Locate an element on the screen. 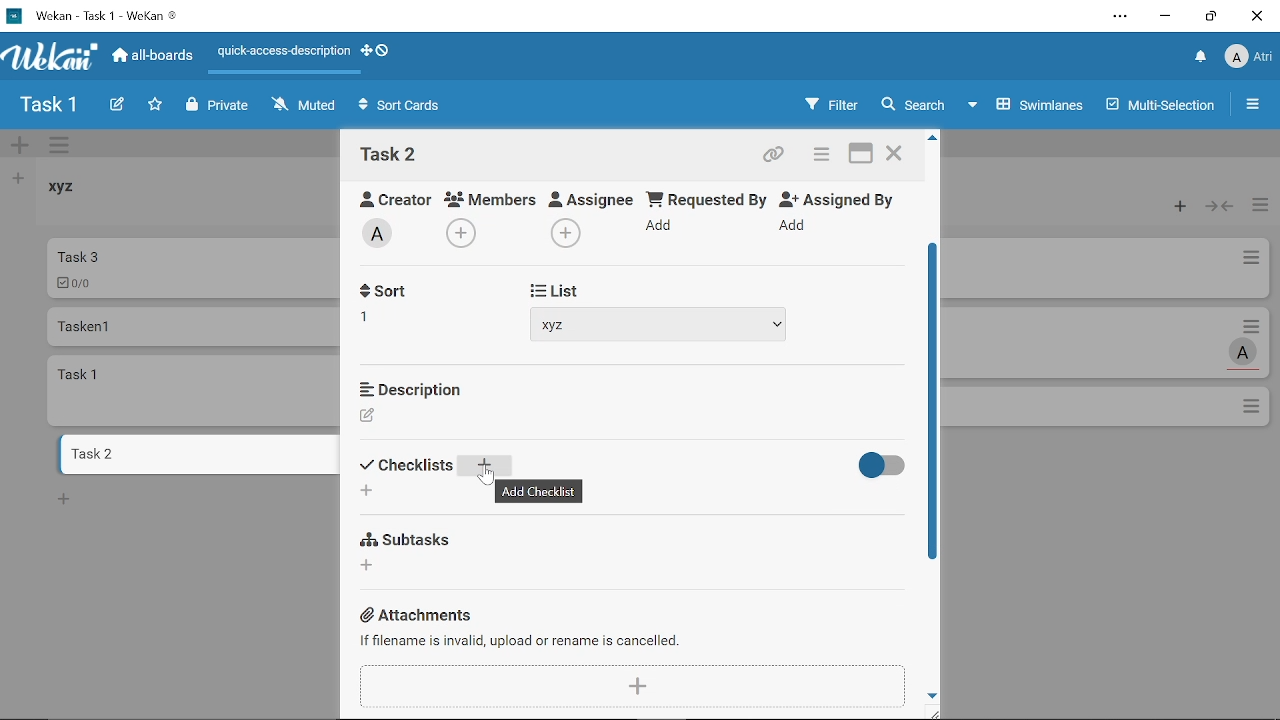 This screenshot has width=1280, height=720. If filename is invalid, upload or rename is cancelled. is located at coordinates (520, 641).